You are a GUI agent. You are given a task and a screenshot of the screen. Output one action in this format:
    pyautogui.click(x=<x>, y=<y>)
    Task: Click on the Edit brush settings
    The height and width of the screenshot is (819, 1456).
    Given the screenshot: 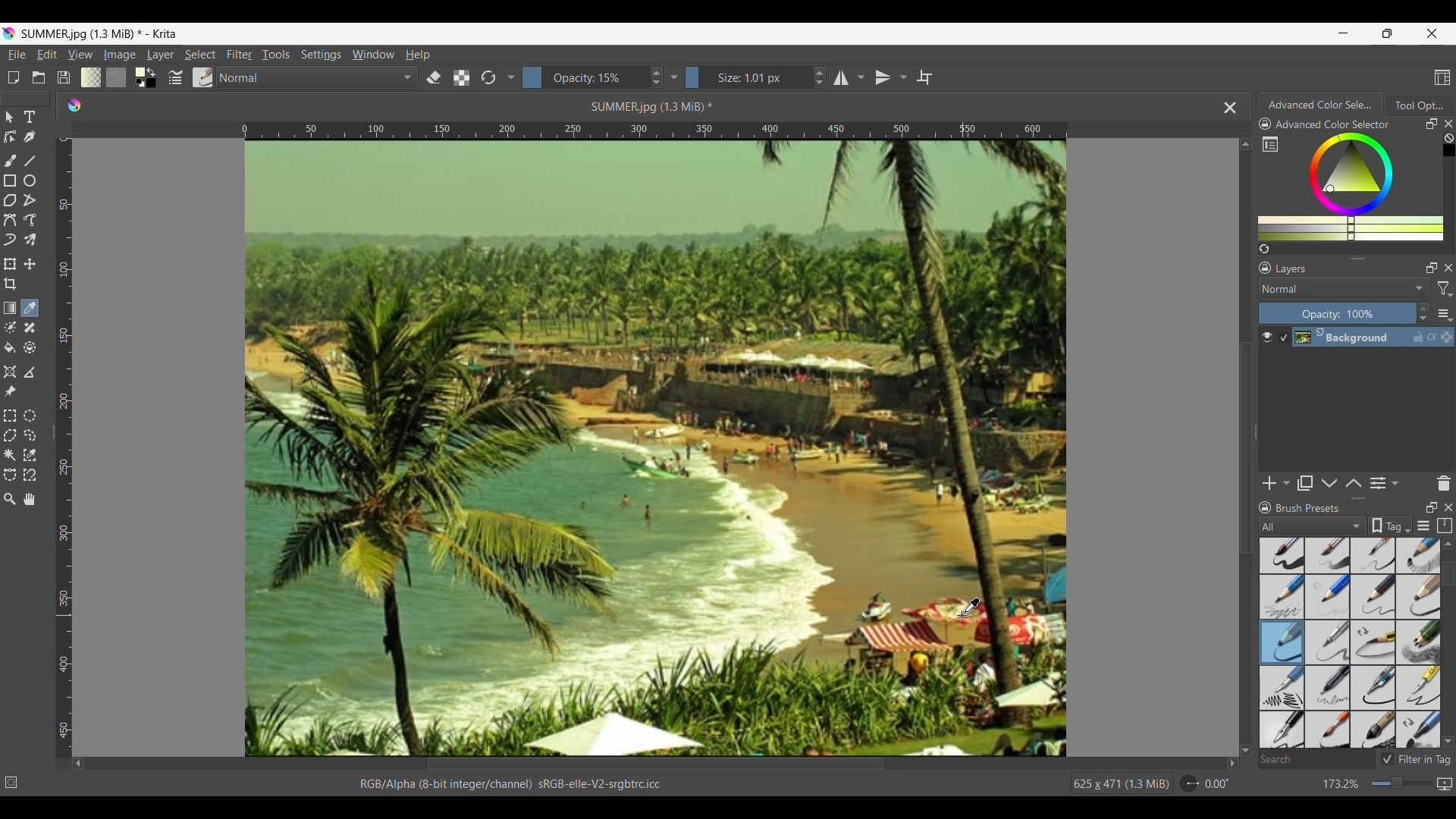 What is the action you would take?
    pyautogui.click(x=176, y=77)
    